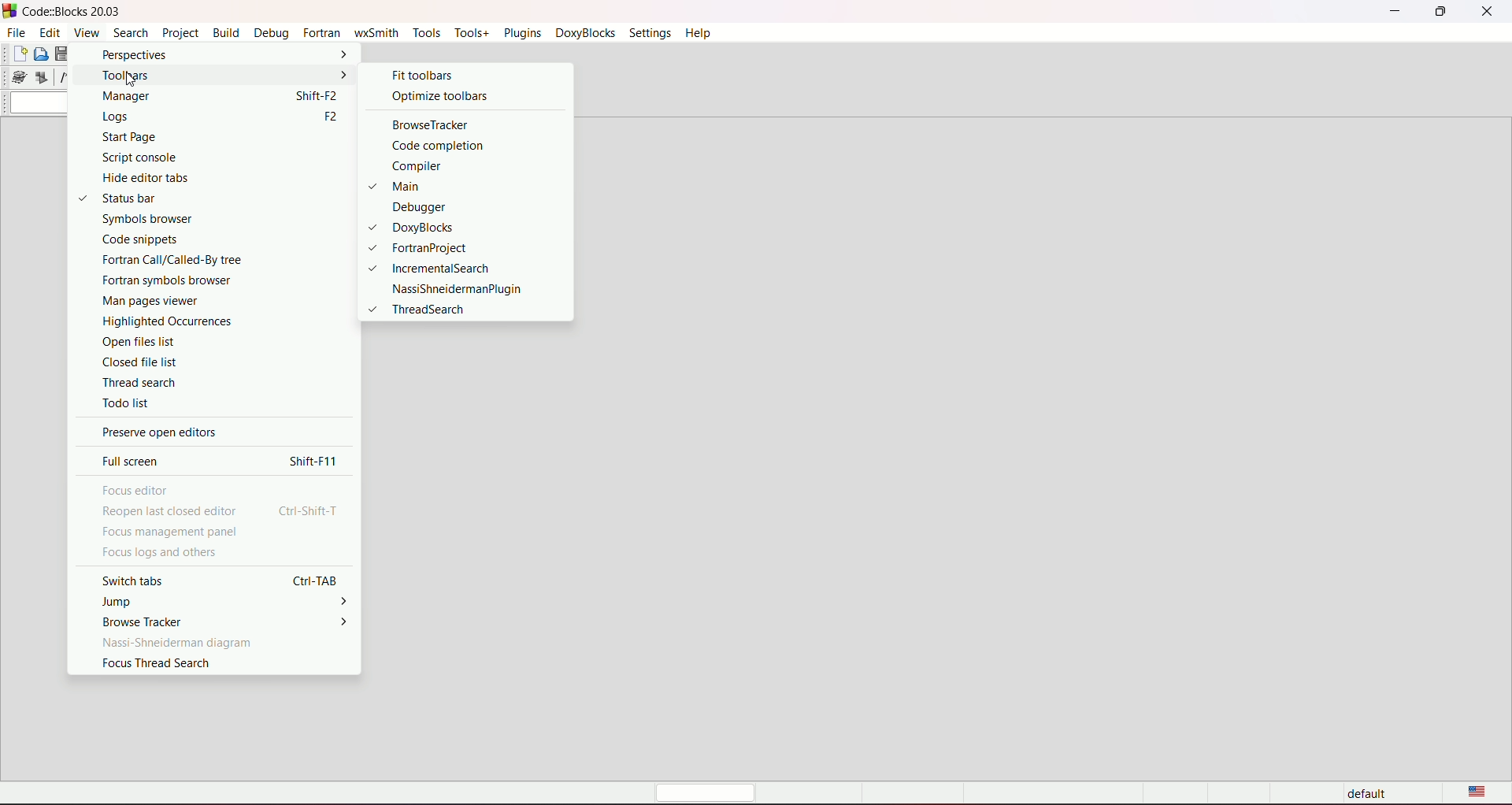  What do you see at coordinates (224, 33) in the screenshot?
I see `build` at bounding box center [224, 33].